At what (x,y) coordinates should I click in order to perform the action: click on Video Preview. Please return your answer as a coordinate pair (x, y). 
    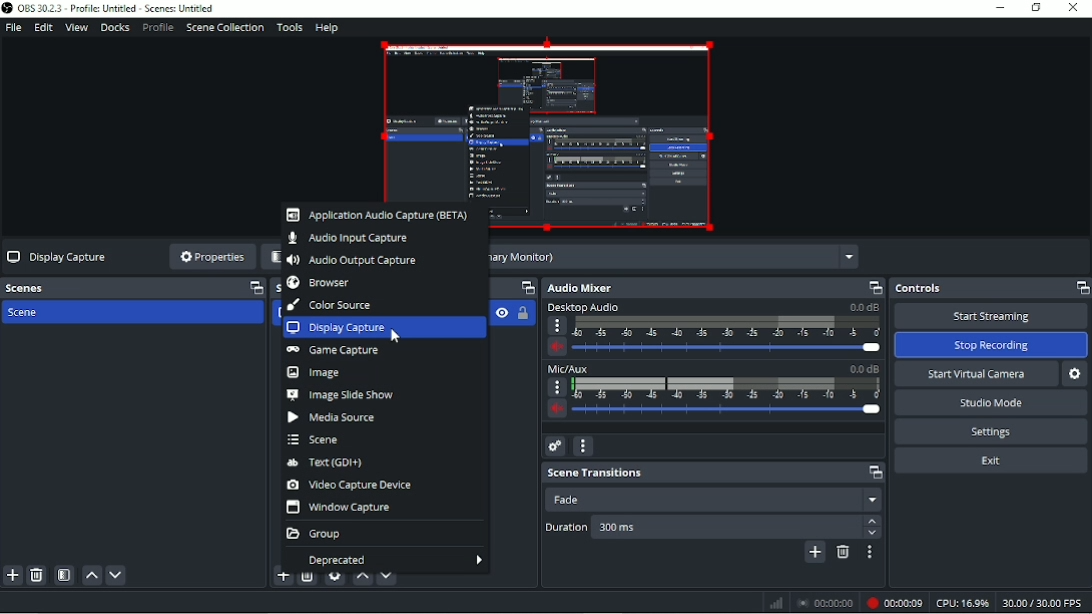
    Looking at the image, I should click on (547, 118).